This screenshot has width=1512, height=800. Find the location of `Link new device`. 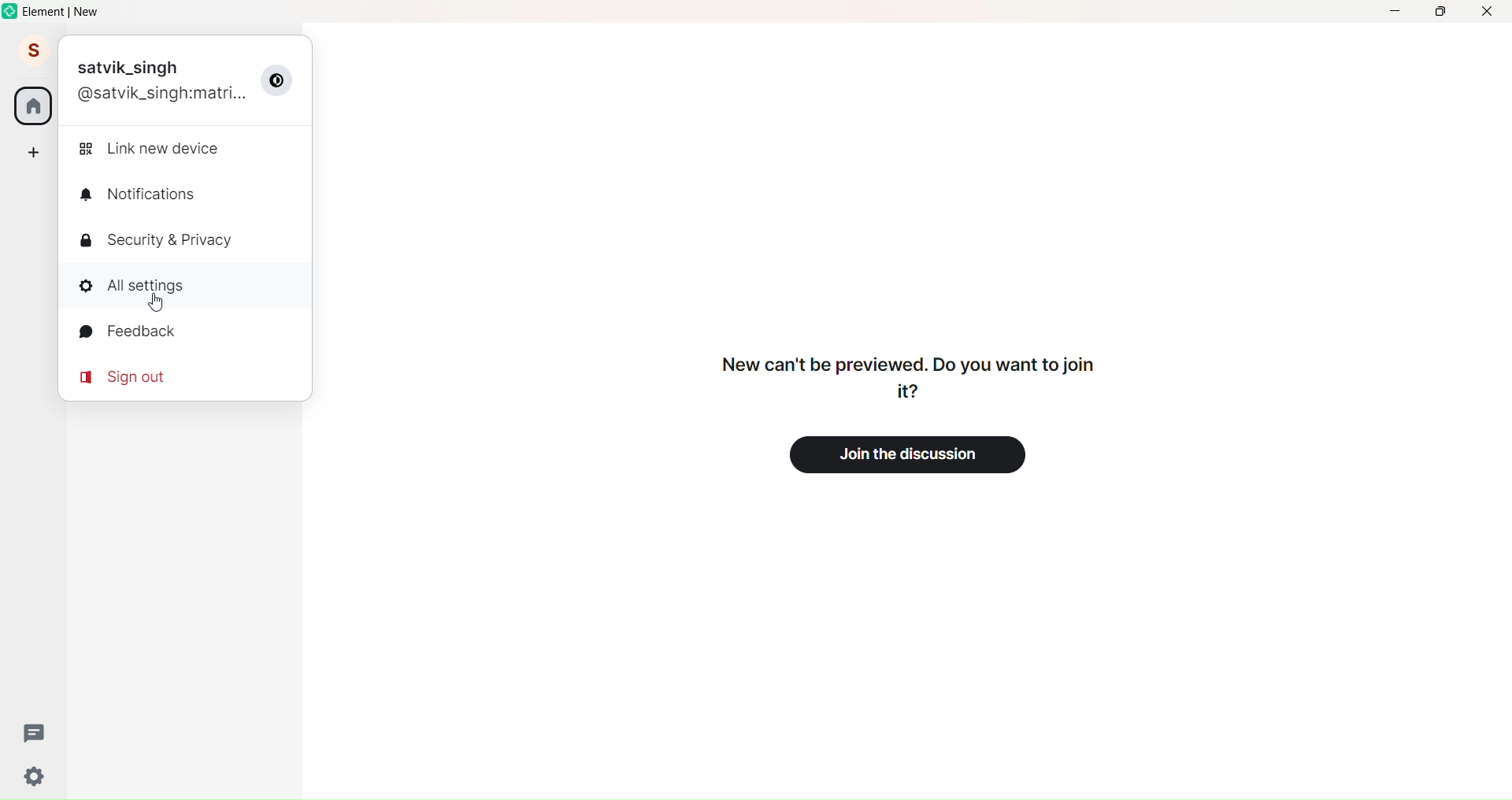

Link new device is located at coordinates (154, 150).